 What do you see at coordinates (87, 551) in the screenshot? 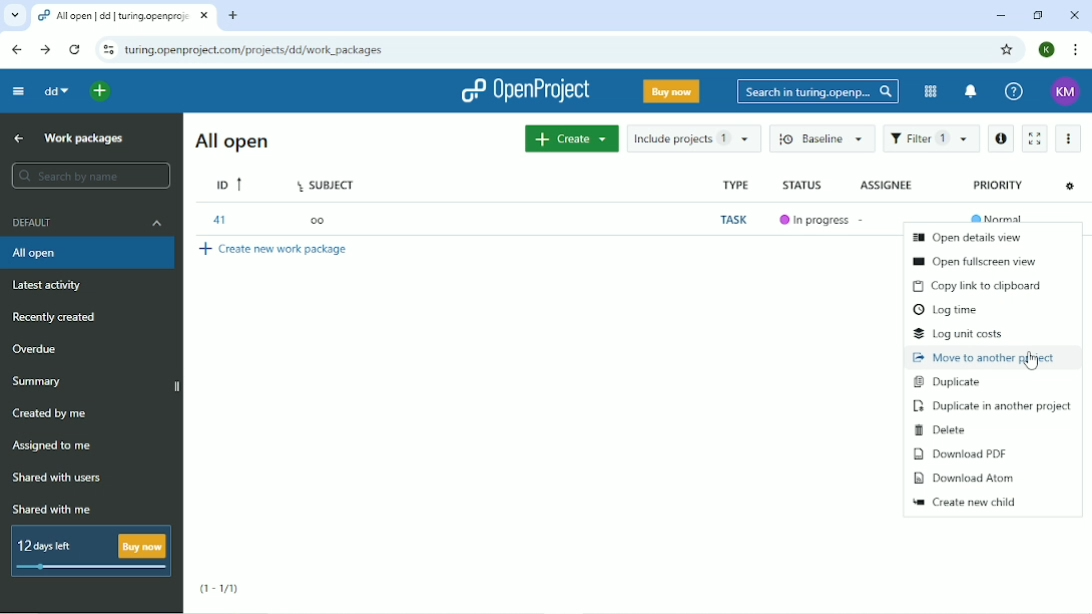
I see `12 days left Buy now` at bounding box center [87, 551].